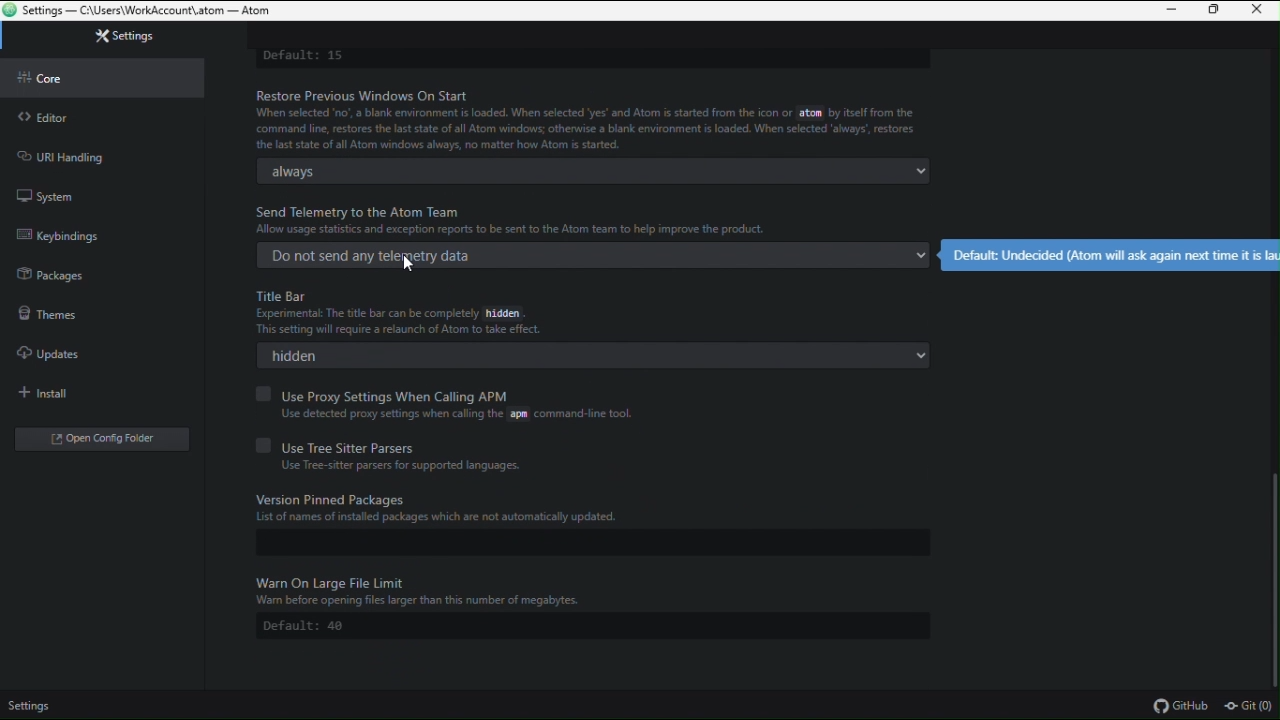 Image resolution: width=1280 pixels, height=720 pixels. Describe the element at coordinates (1171, 12) in the screenshot. I see `minimise` at that location.